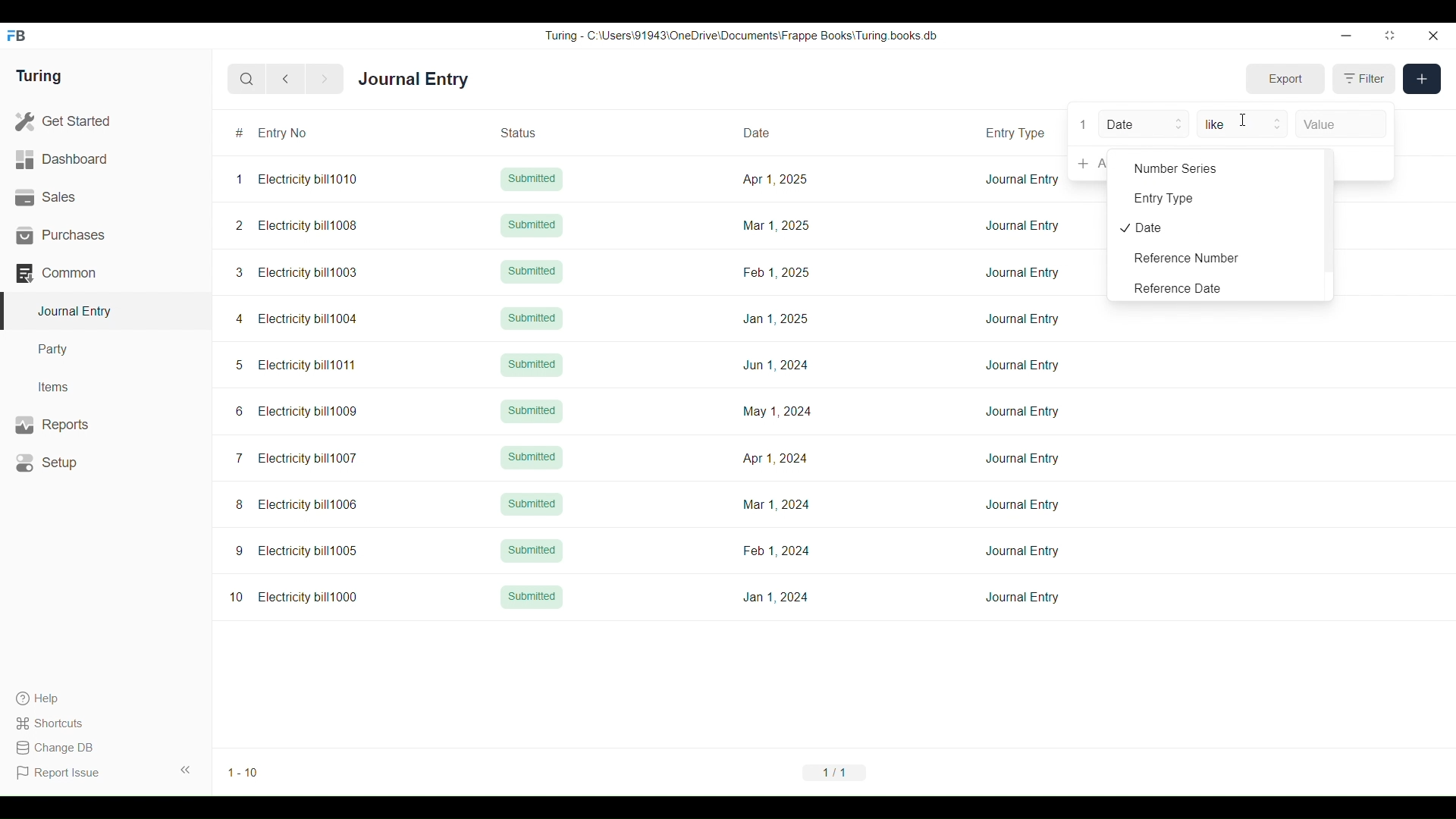 This screenshot has width=1456, height=819. What do you see at coordinates (58, 748) in the screenshot?
I see `Change DB` at bounding box center [58, 748].